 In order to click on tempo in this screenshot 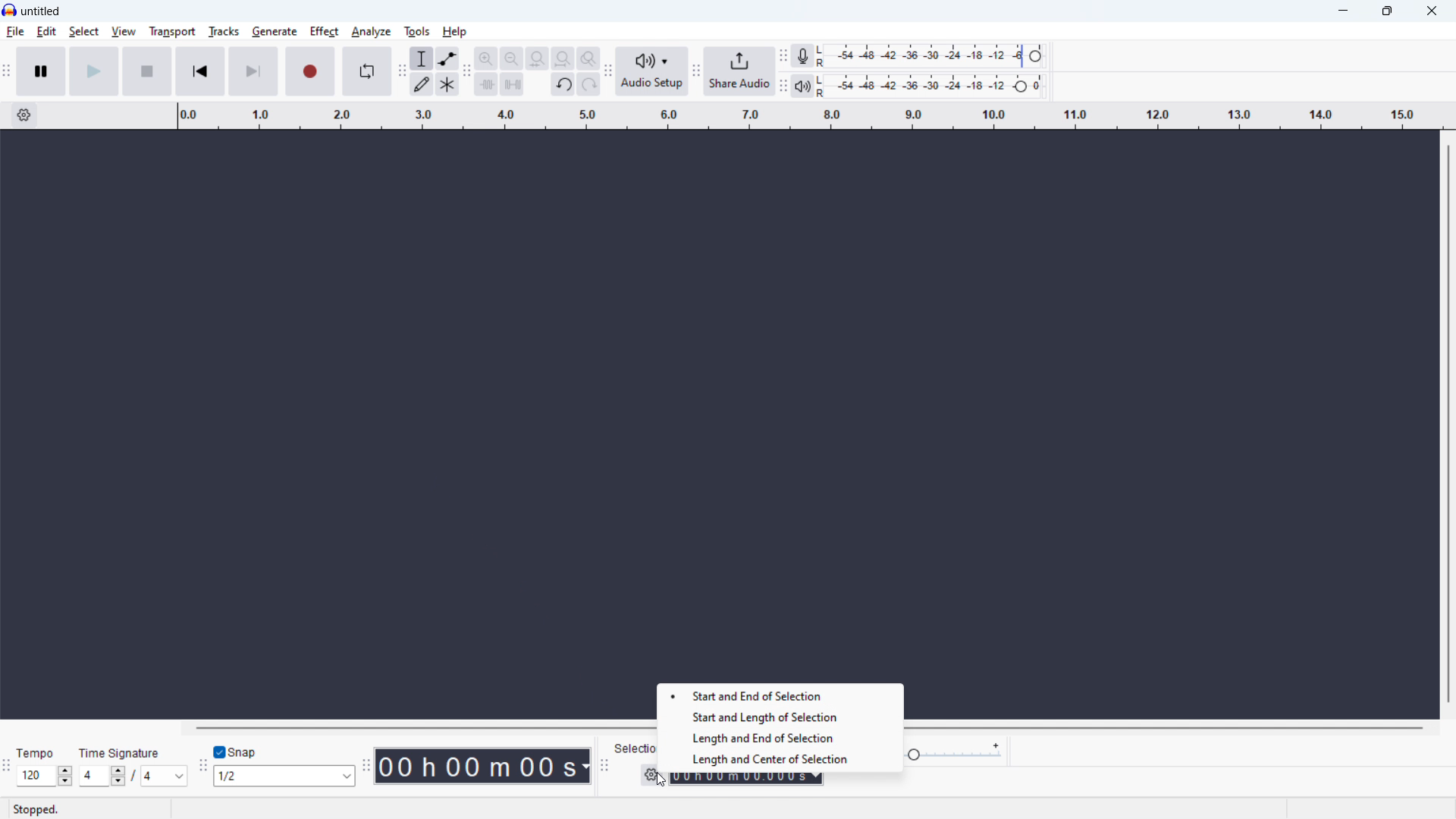, I will do `click(35, 753)`.